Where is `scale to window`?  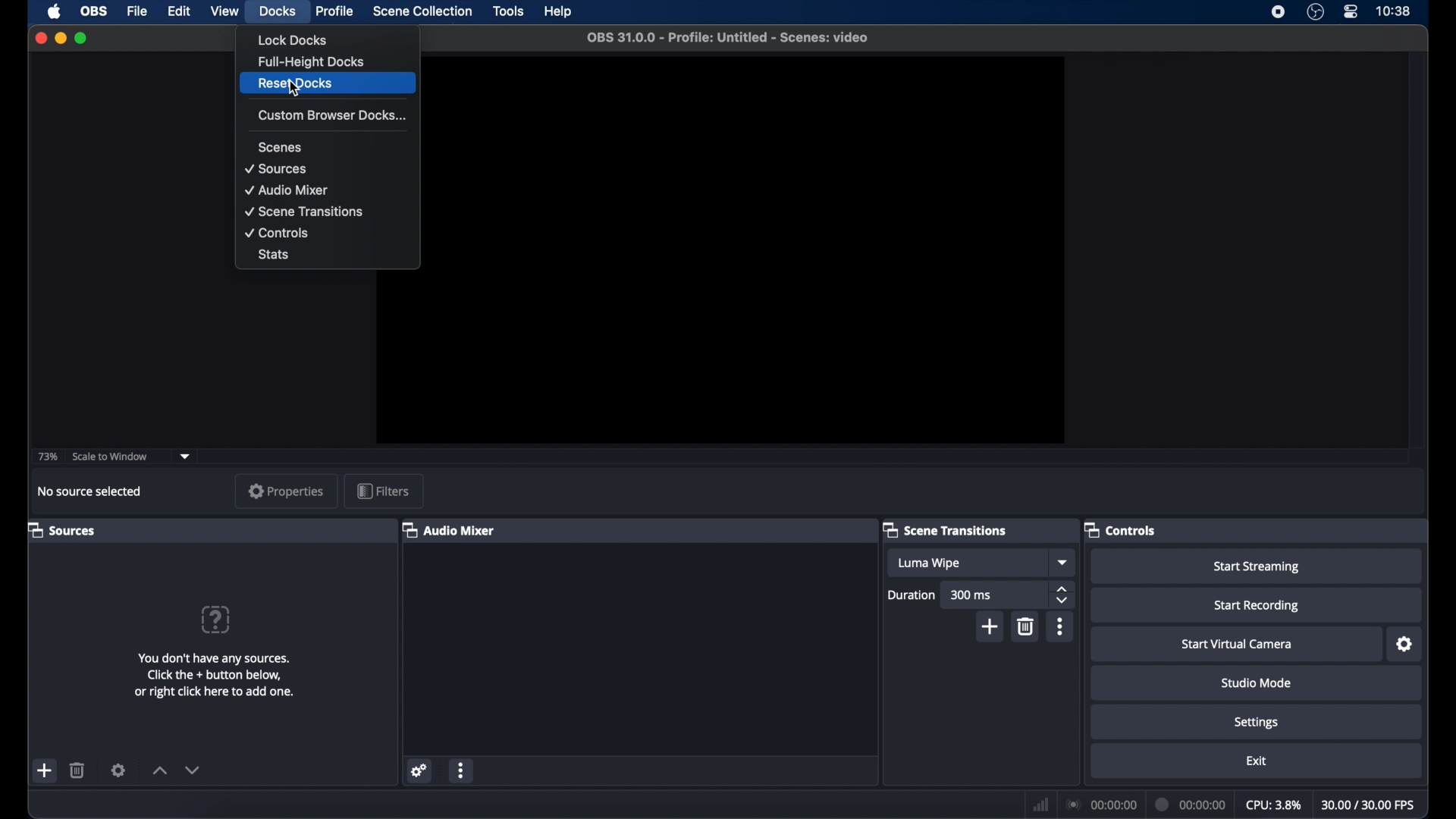
scale to window is located at coordinates (112, 455).